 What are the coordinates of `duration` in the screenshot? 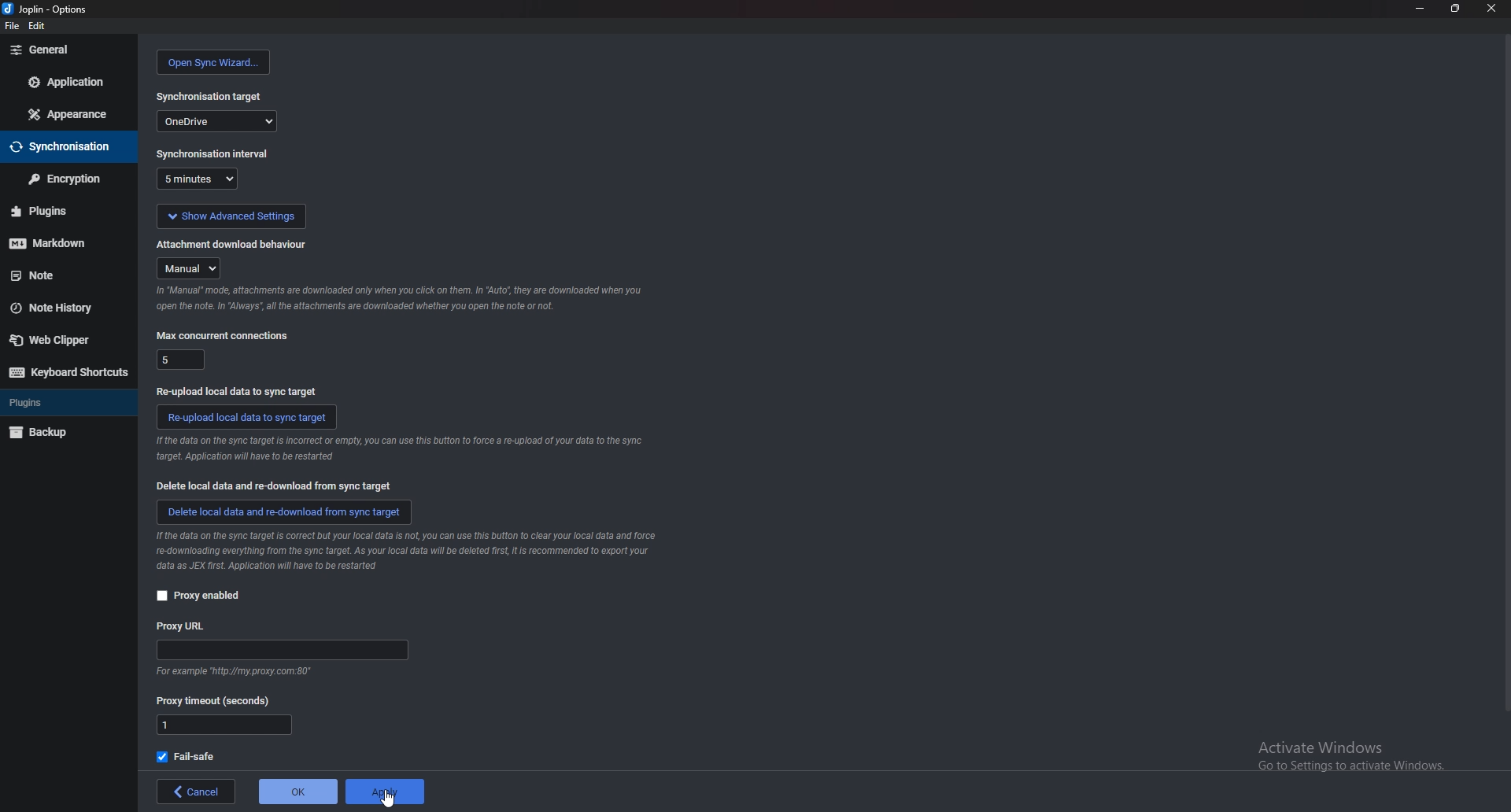 It's located at (197, 179).